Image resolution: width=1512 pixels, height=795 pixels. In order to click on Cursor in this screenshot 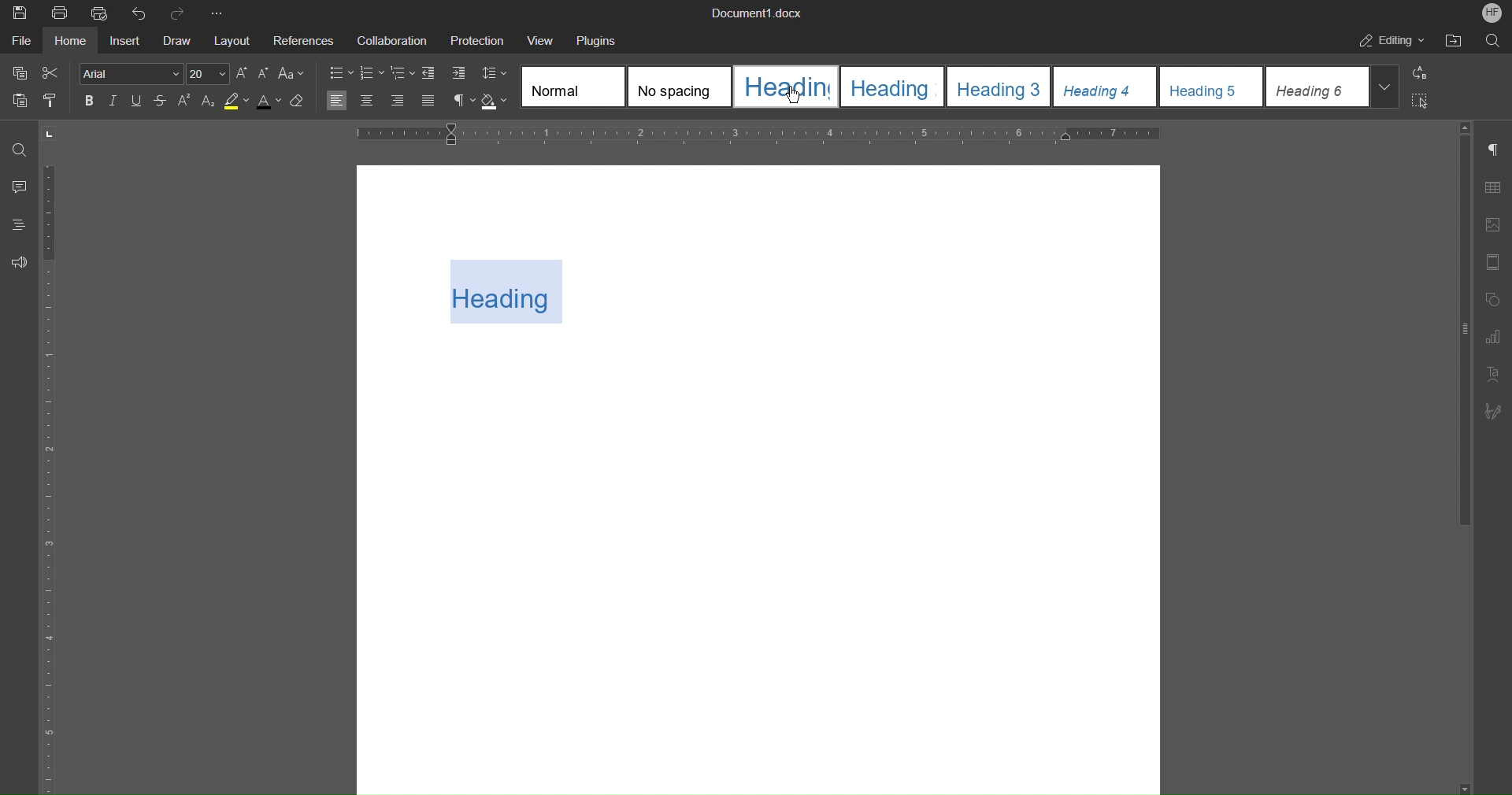, I will do `click(791, 91)`.